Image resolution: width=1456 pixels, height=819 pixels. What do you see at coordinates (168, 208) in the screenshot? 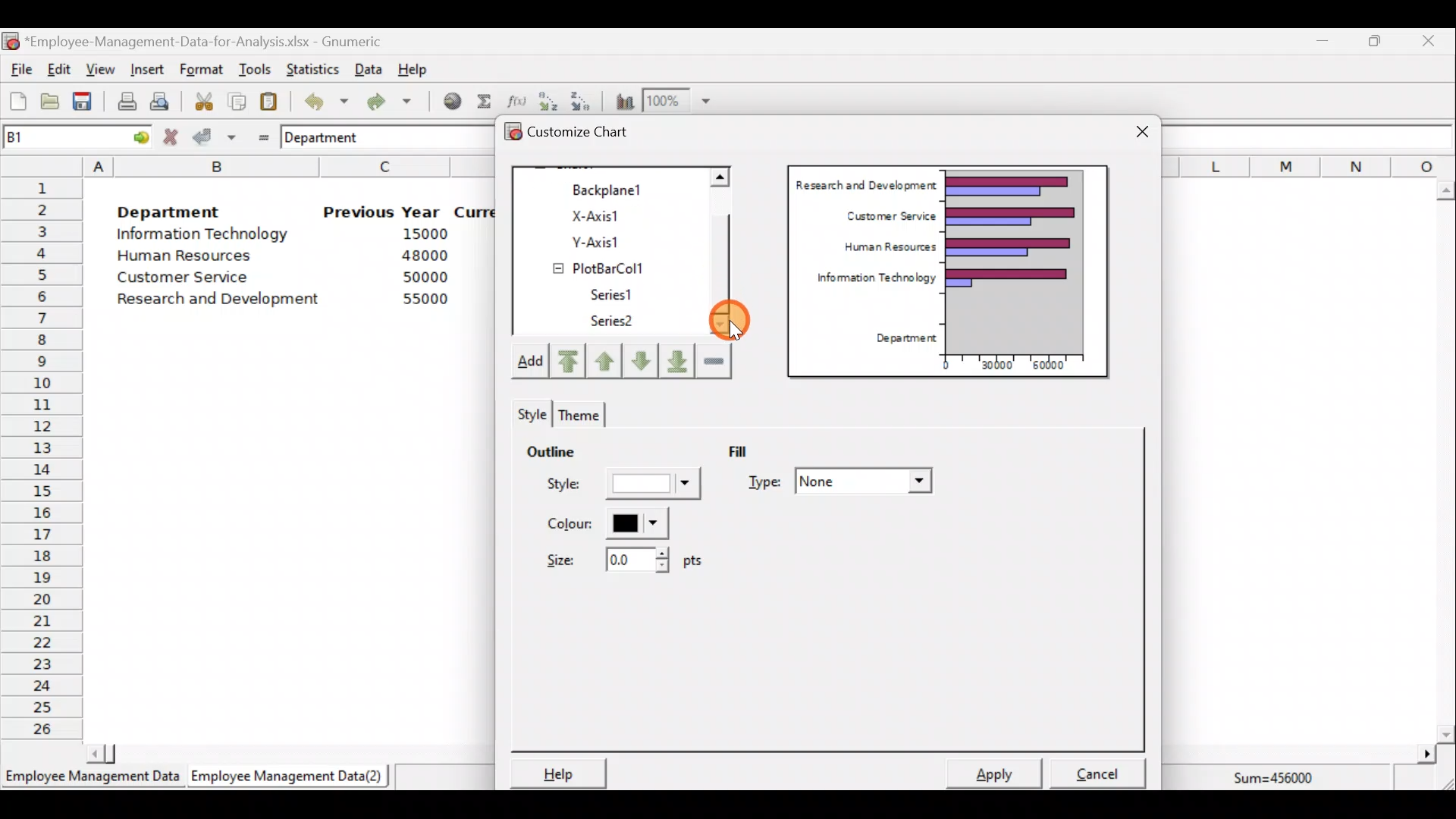
I see `Department` at bounding box center [168, 208].